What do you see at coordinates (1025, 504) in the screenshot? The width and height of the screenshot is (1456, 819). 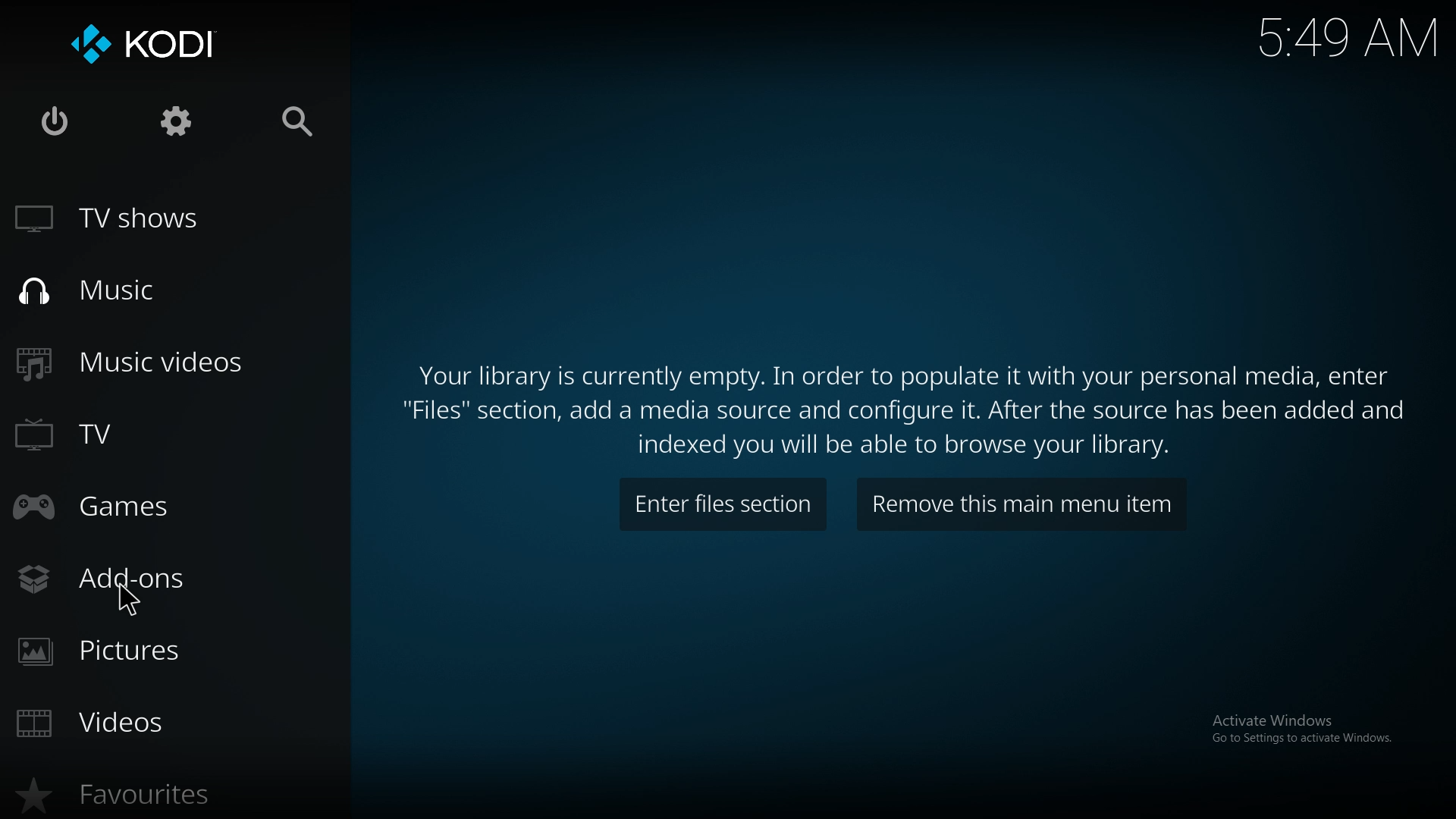 I see `remove item` at bounding box center [1025, 504].